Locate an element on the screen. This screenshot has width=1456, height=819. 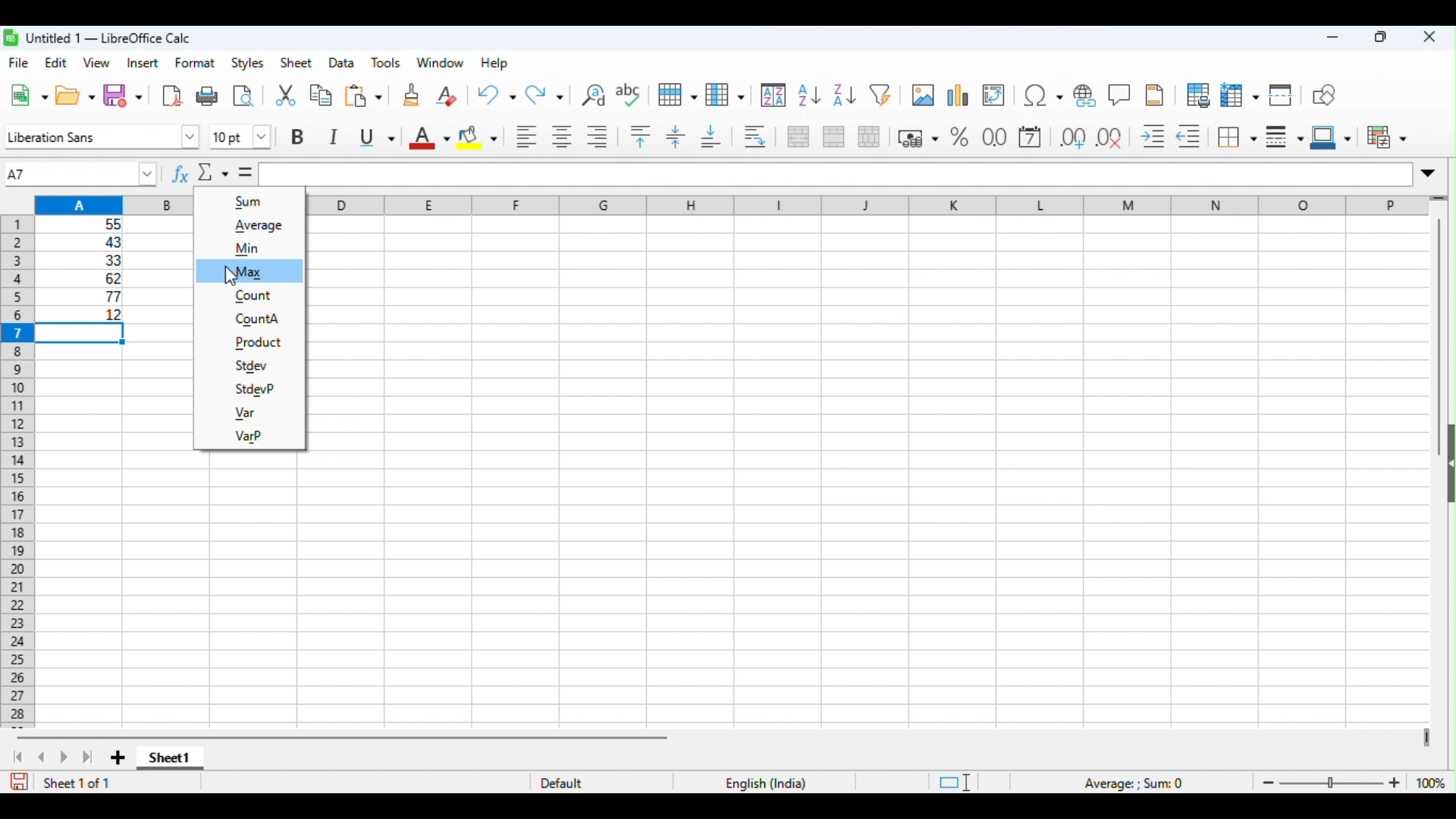
zoom is located at coordinates (1350, 782).